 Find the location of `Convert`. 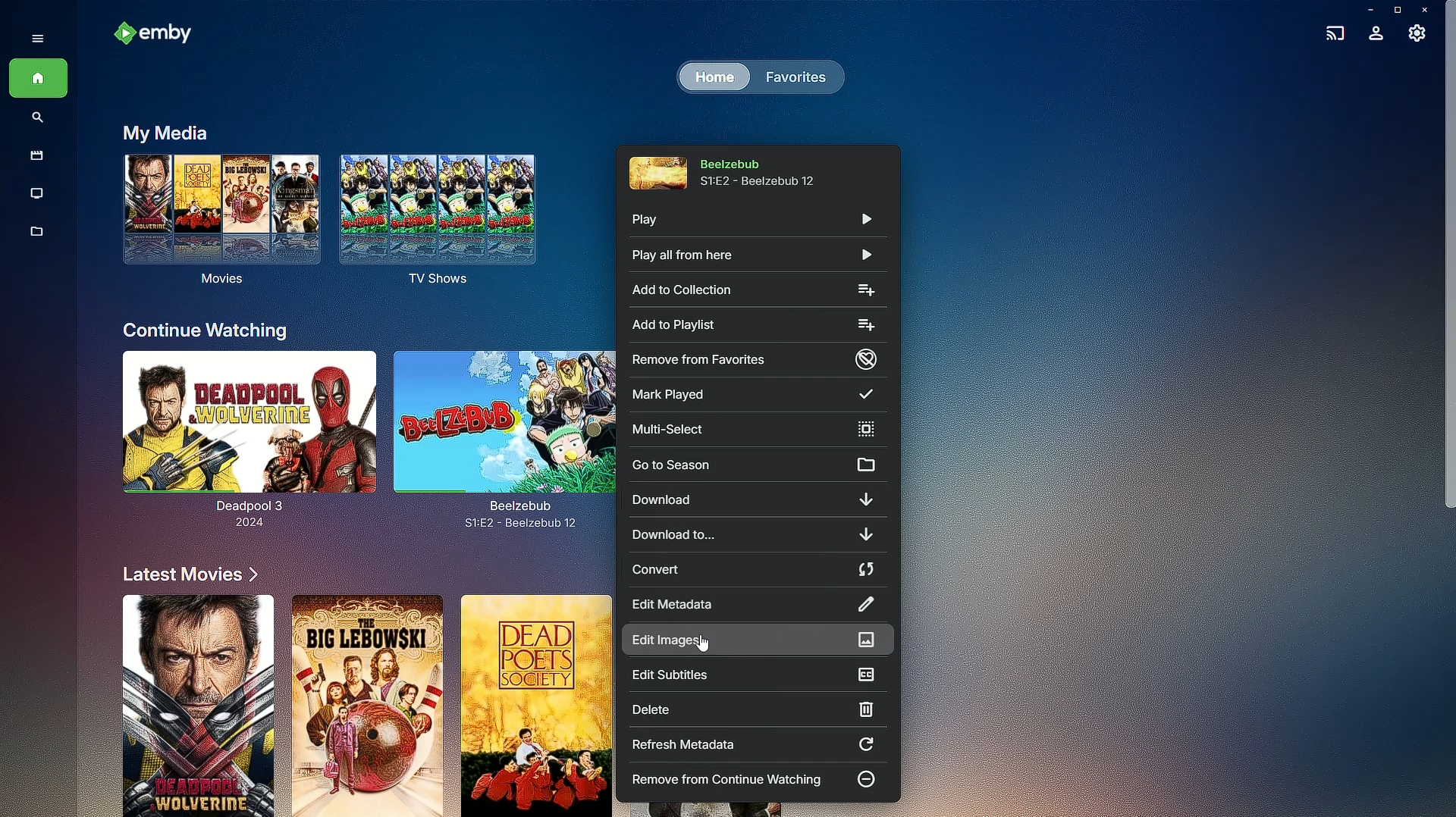

Convert is located at coordinates (756, 572).